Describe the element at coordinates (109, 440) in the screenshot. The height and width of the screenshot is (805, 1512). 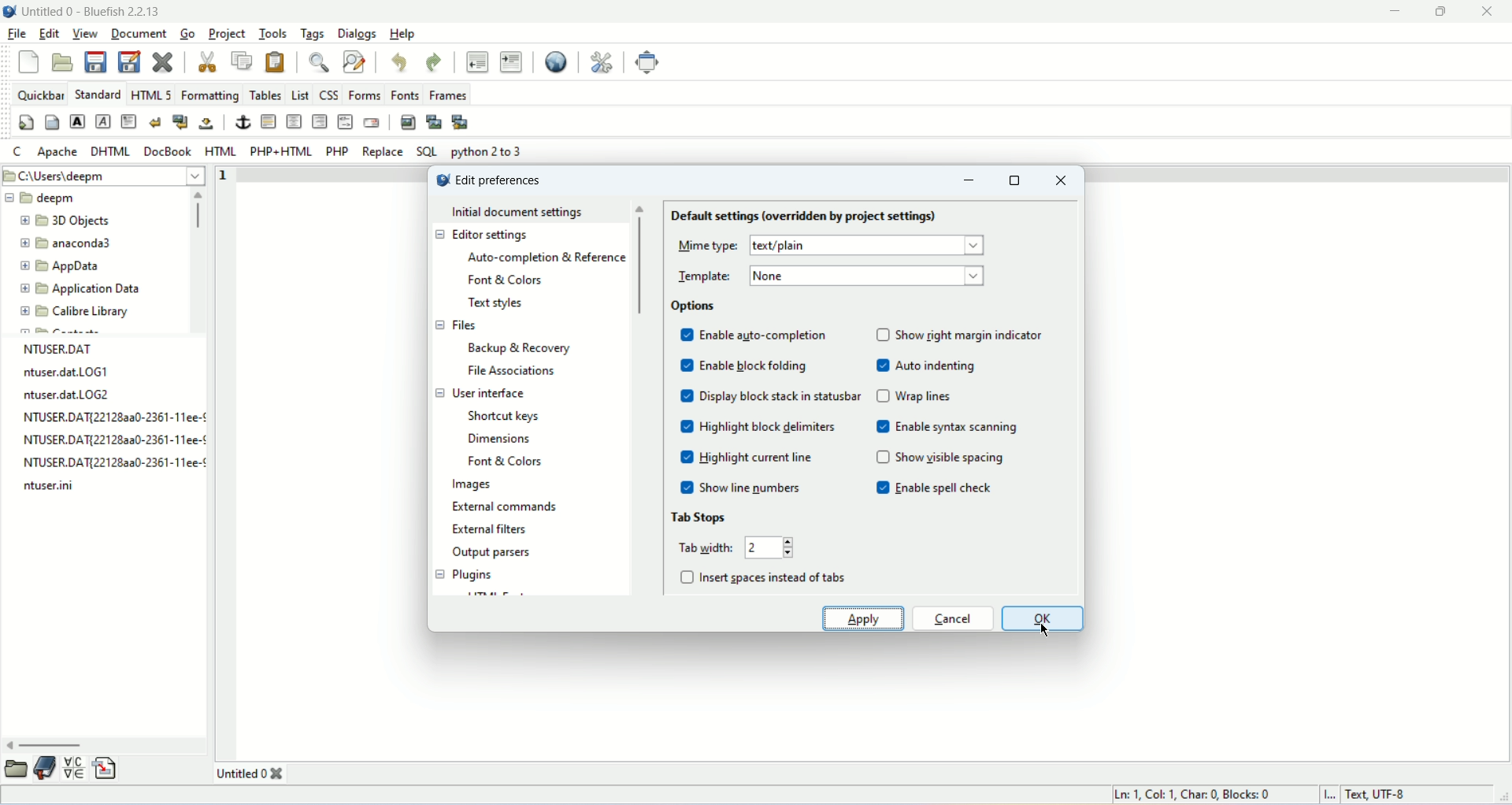
I see `NTUSER.DAT{22128aa0-2361-11ee-¢` at that location.